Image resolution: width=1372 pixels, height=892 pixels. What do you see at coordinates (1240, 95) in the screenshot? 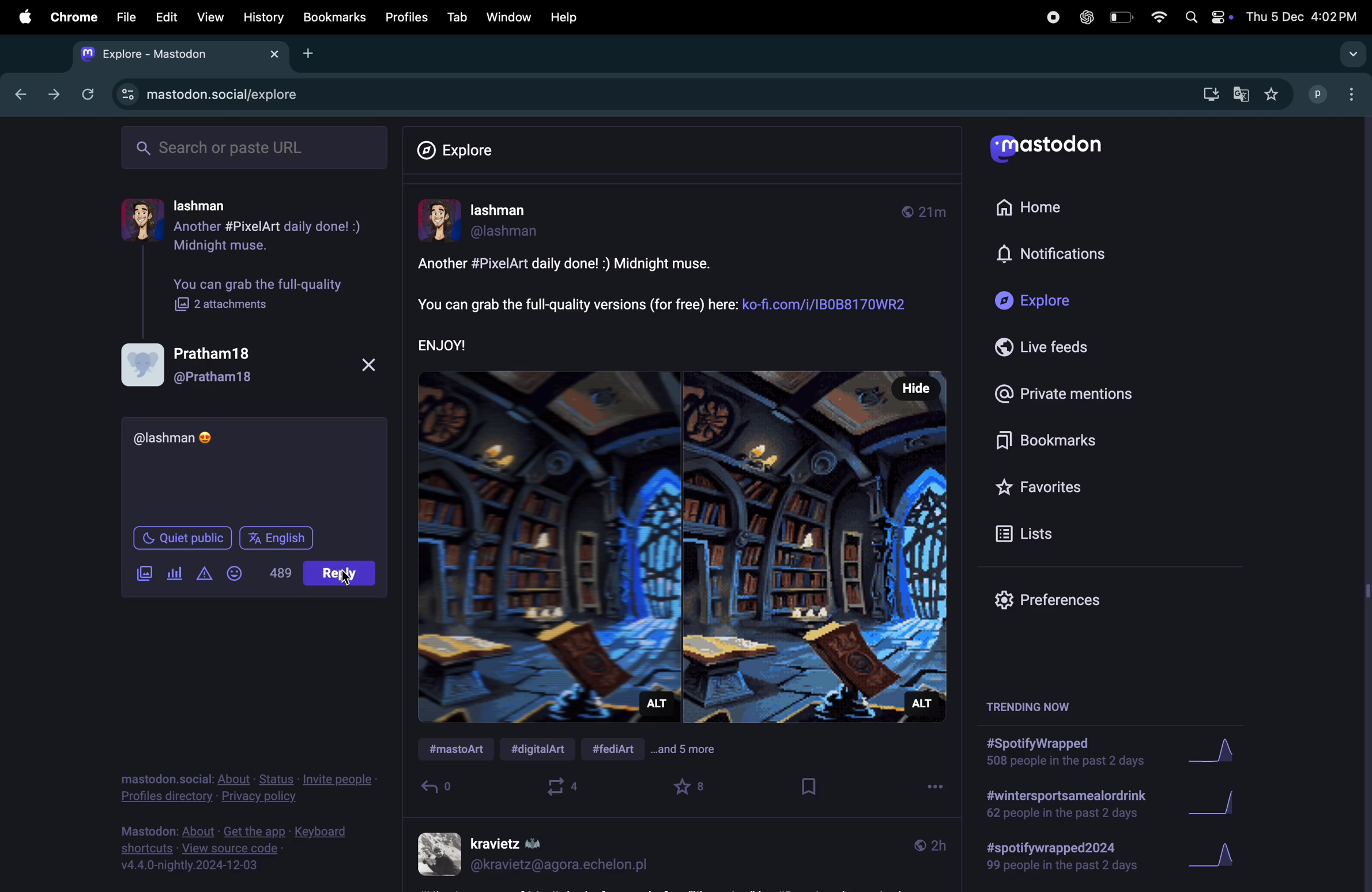
I see `google translate` at bounding box center [1240, 95].